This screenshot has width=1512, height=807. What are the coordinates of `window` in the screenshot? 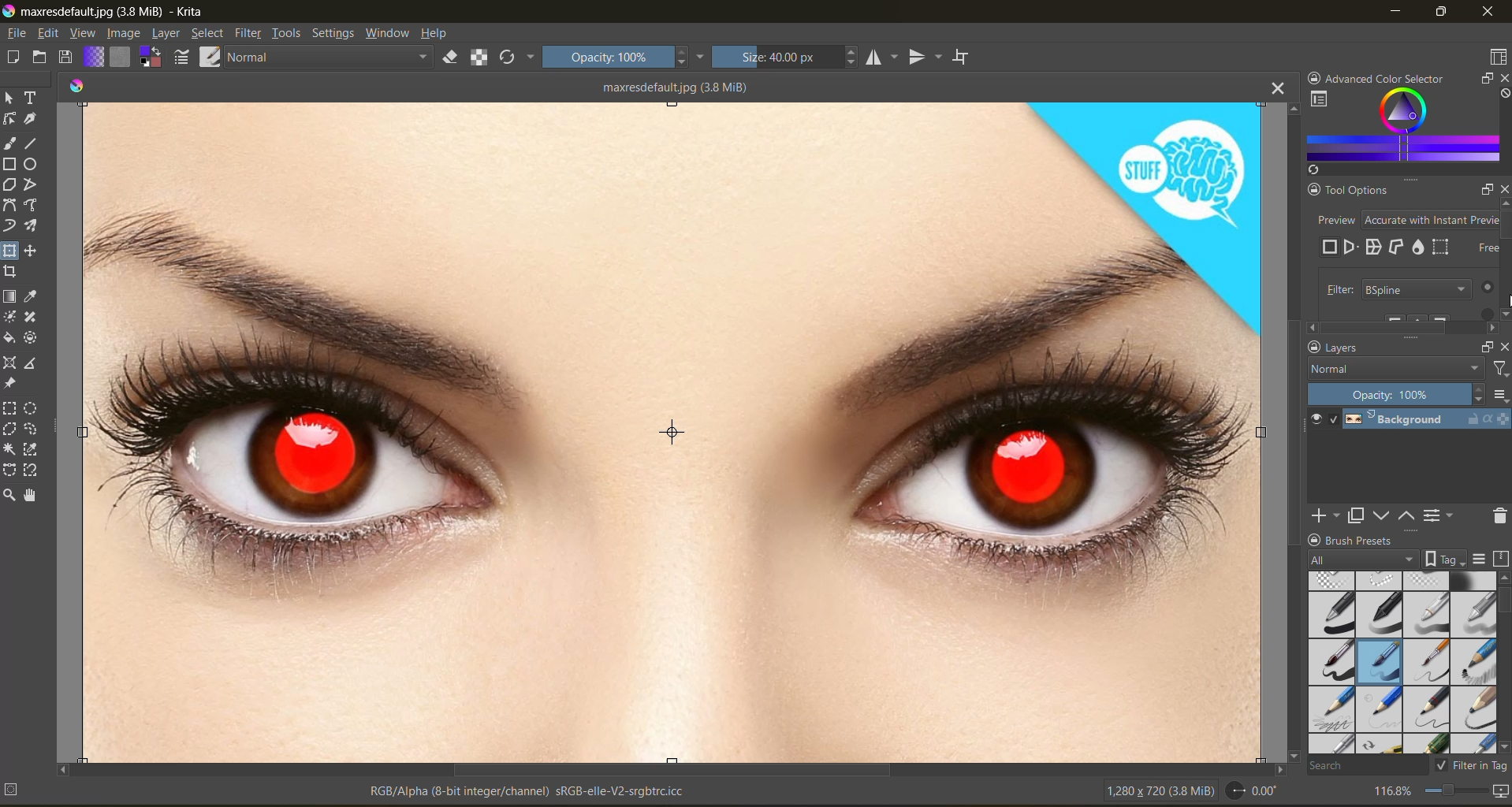 It's located at (389, 32).